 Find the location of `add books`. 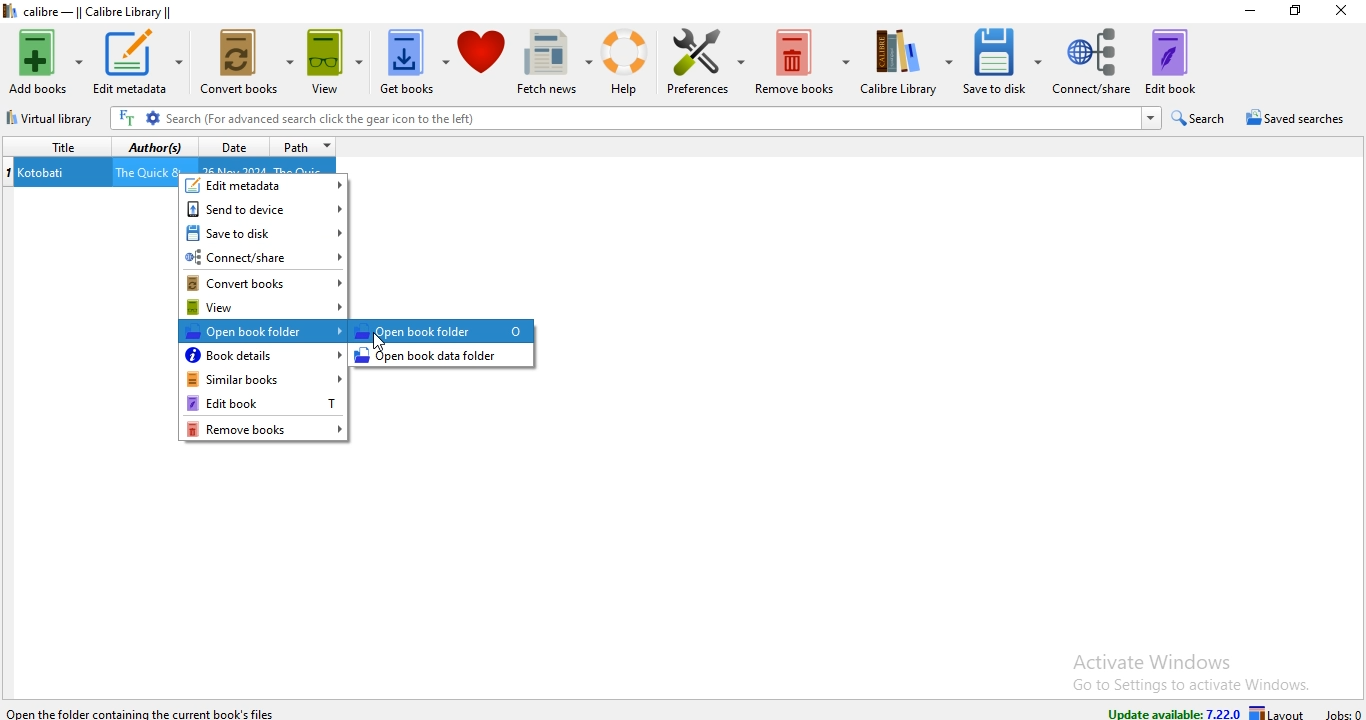

add books is located at coordinates (45, 62).